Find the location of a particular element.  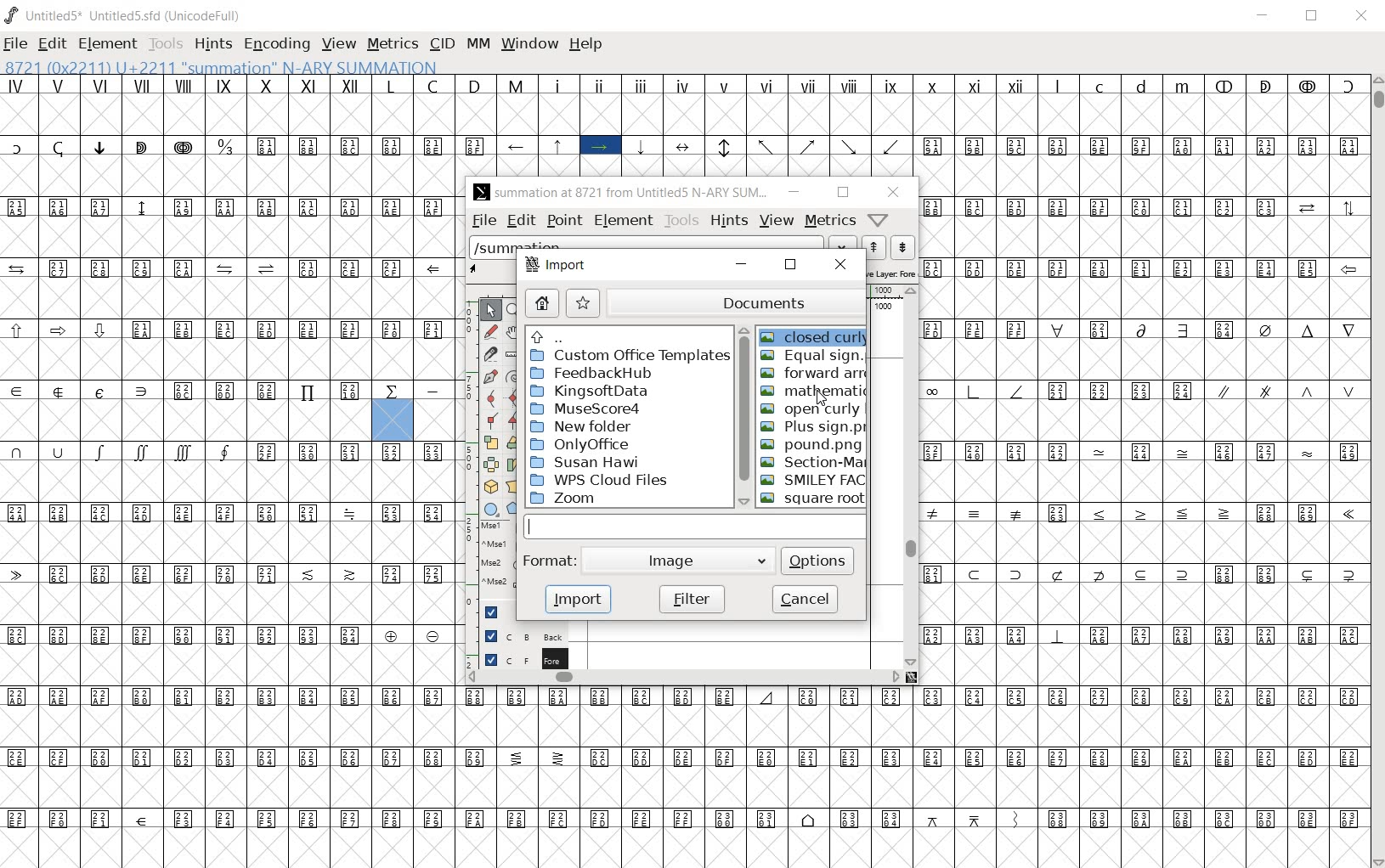

METRICS is located at coordinates (392, 43).